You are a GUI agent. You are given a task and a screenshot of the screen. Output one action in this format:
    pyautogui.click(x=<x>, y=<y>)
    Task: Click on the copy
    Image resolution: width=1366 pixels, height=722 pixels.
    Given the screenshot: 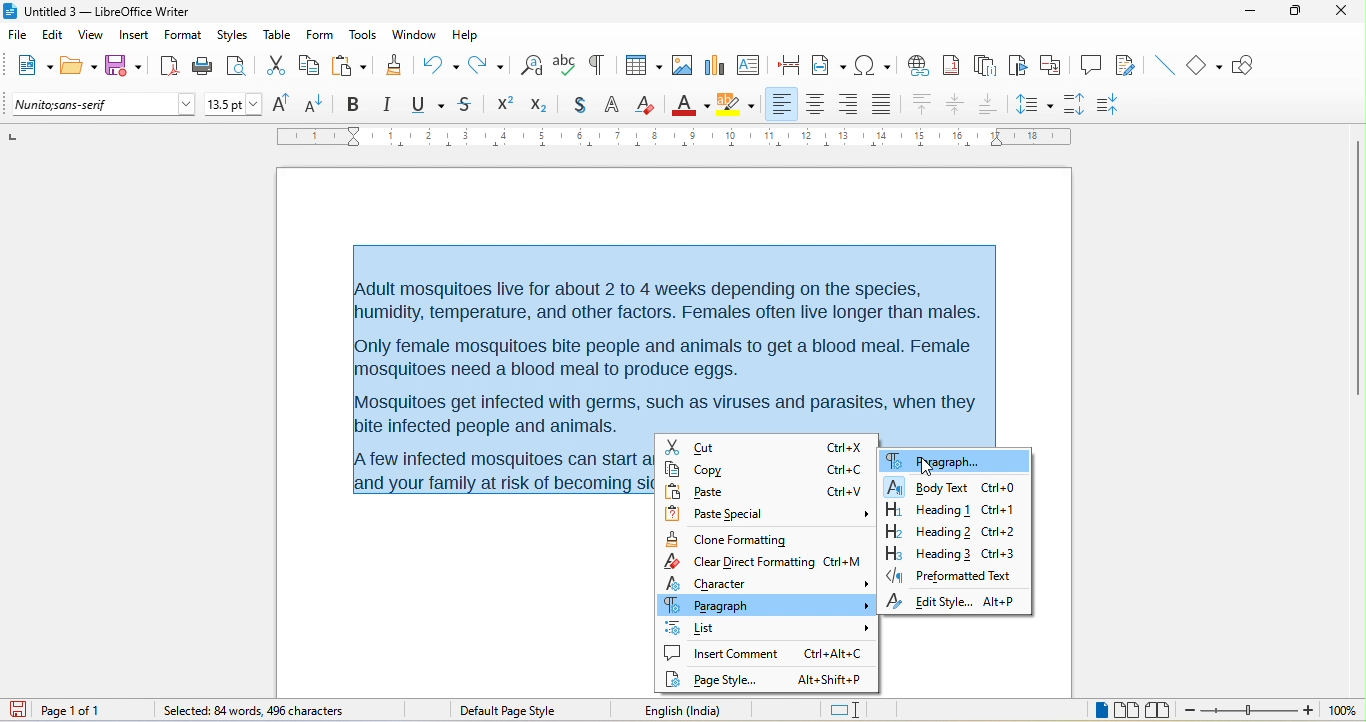 What is the action you would take?
    pyautogui.click(x=728, y=470)
    